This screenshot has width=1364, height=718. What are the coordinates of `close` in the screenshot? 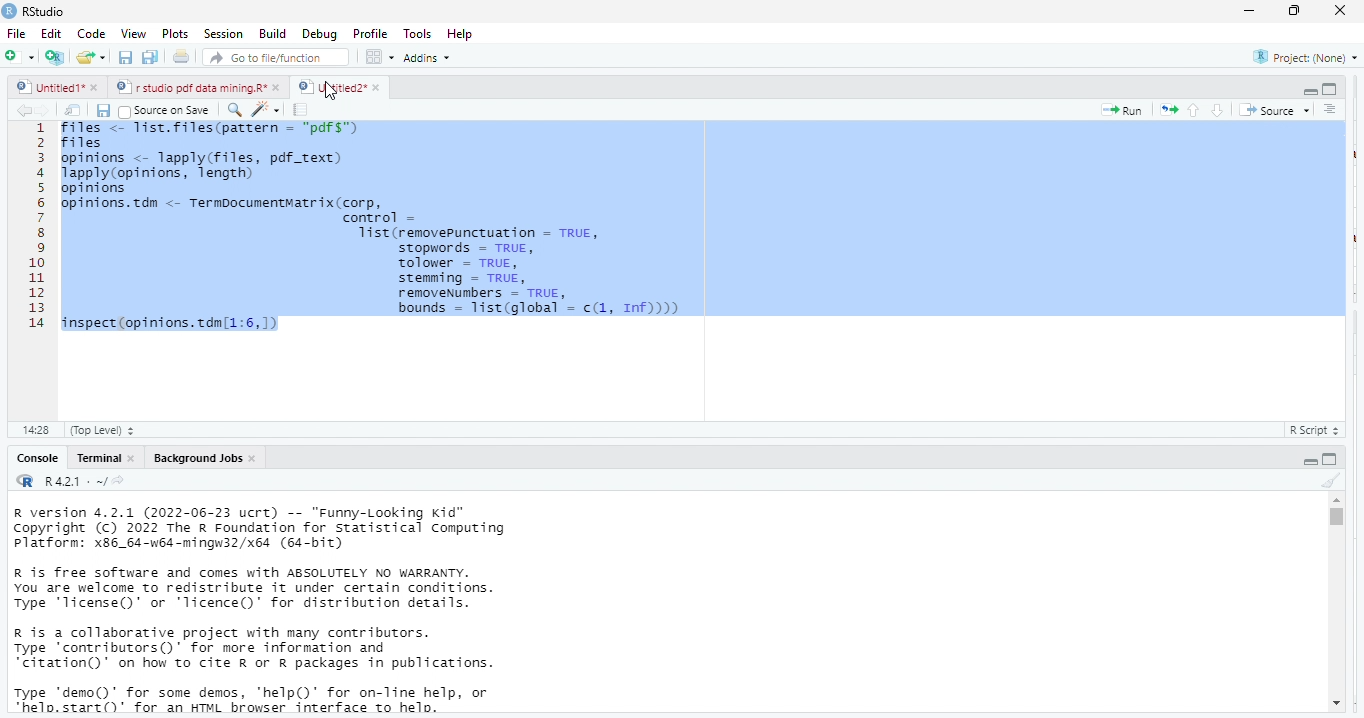 It's located at (1342, 11).